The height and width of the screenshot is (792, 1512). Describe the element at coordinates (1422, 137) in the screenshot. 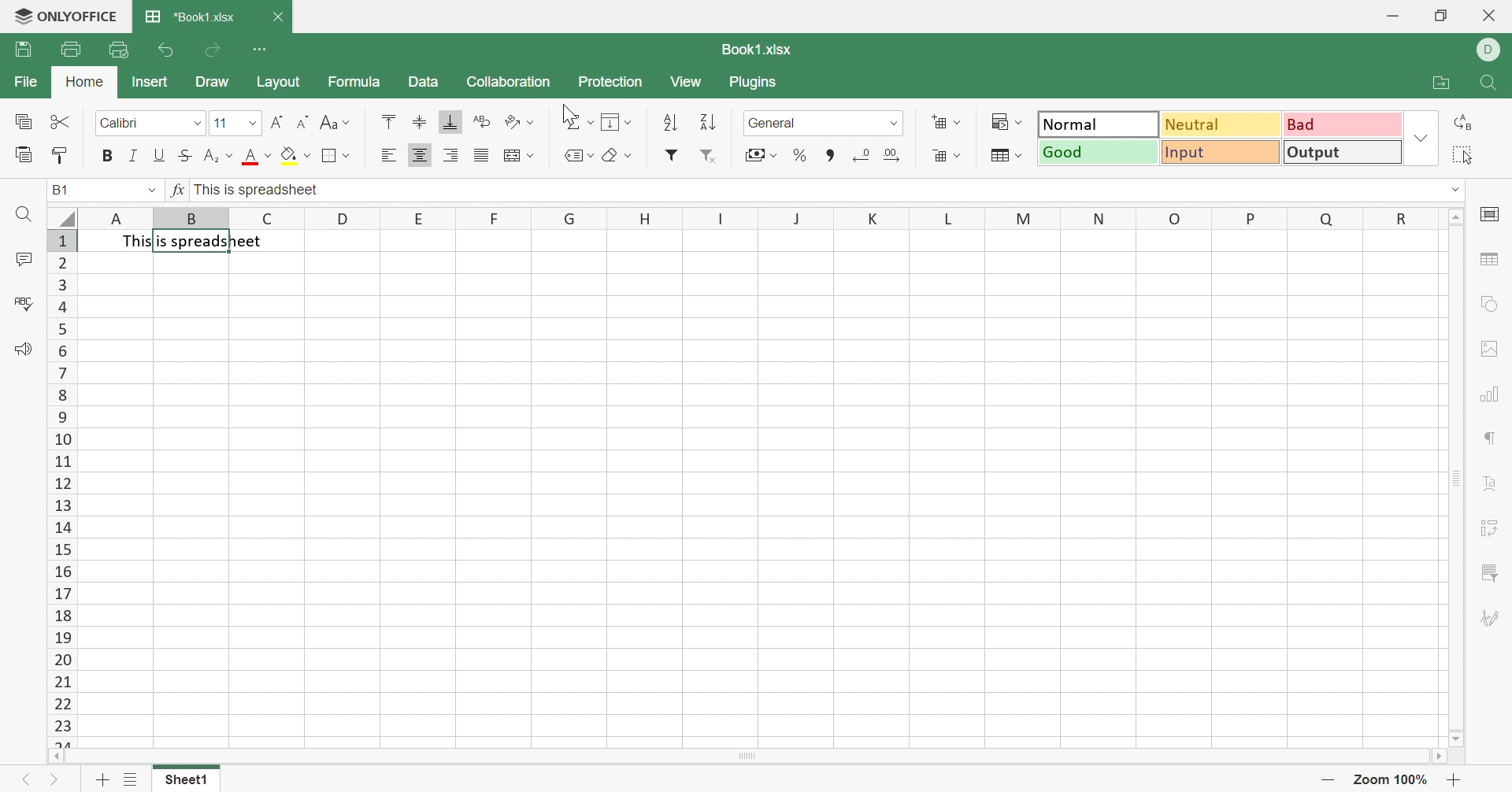

I see `Drop Down` at that location.